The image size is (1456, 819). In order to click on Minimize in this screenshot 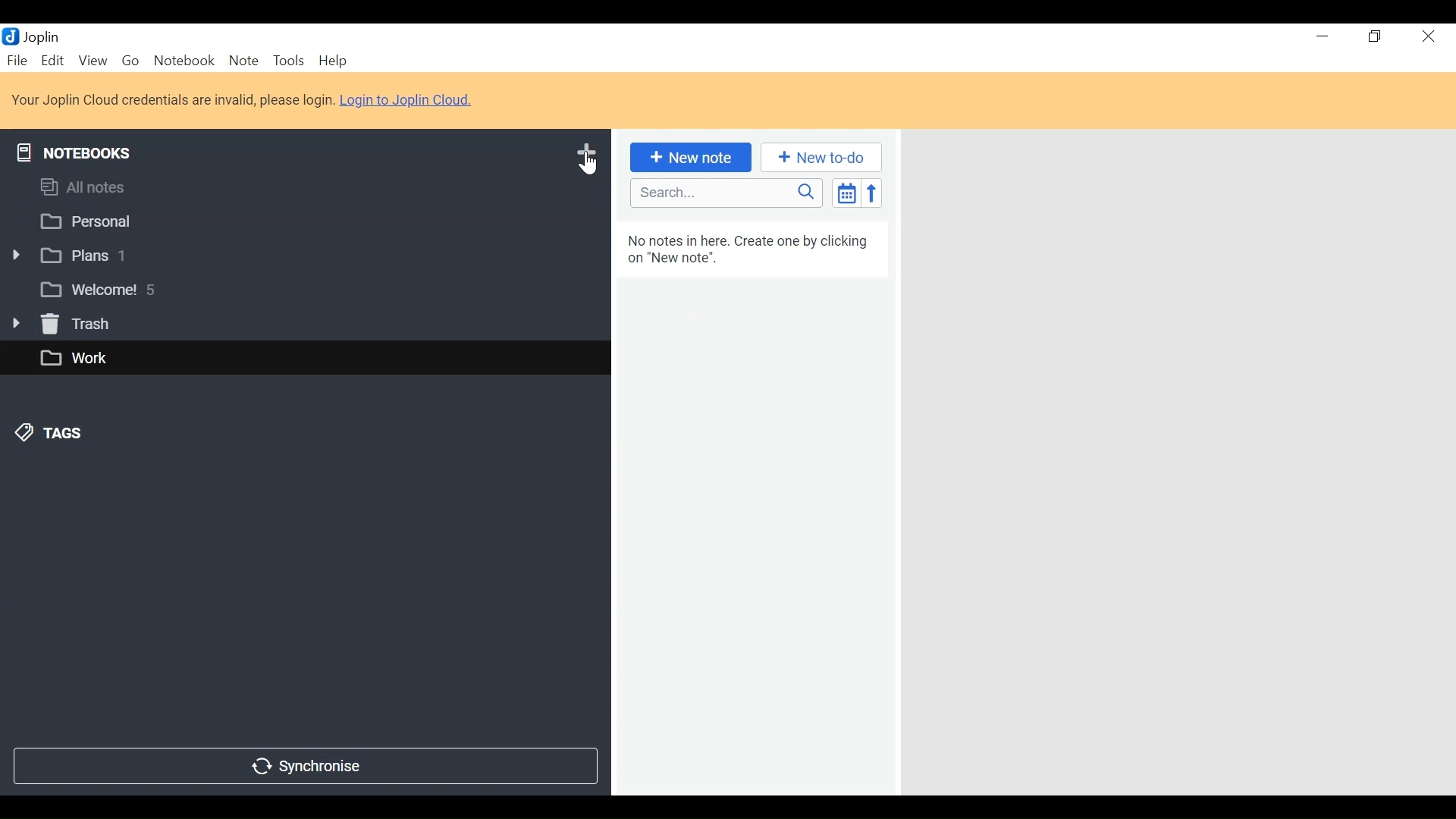, I will do `click(1323, 36)`.